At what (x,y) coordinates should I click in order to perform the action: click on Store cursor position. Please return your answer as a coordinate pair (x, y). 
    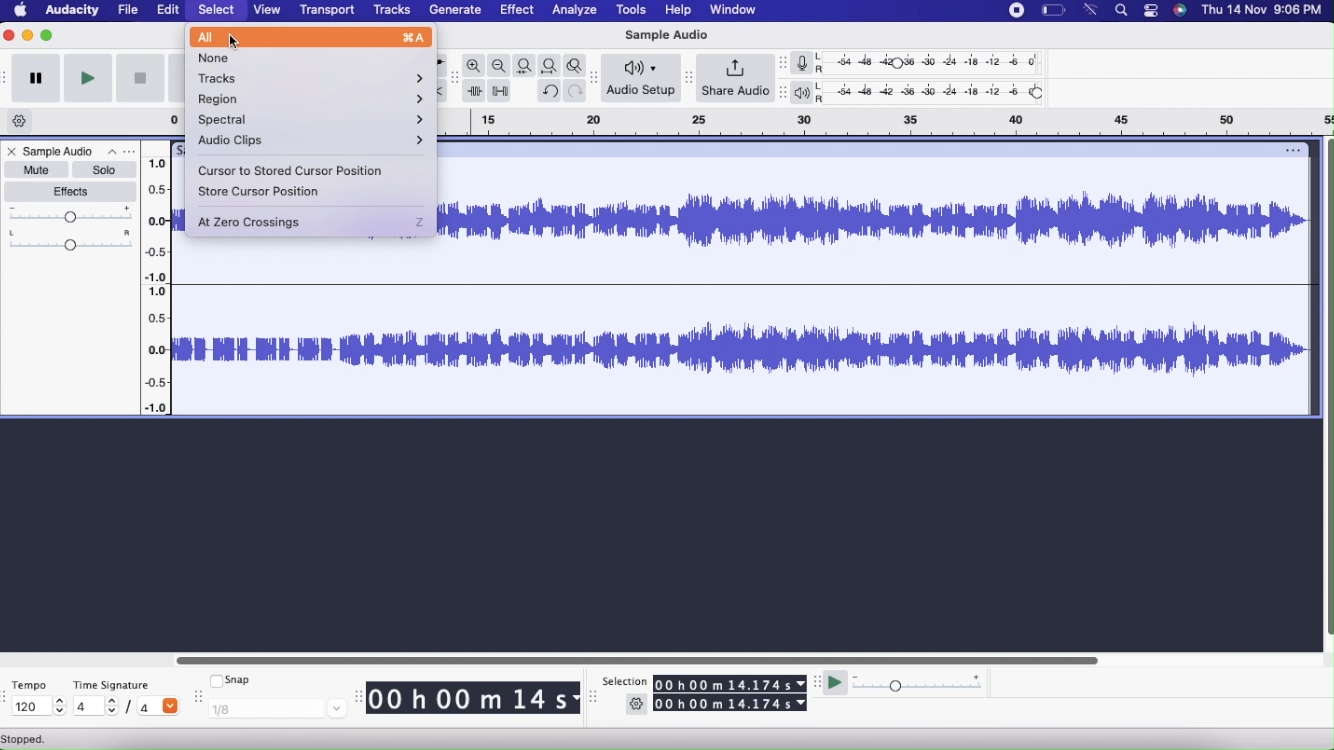
    Looking at the image, I should click on (260, 193).